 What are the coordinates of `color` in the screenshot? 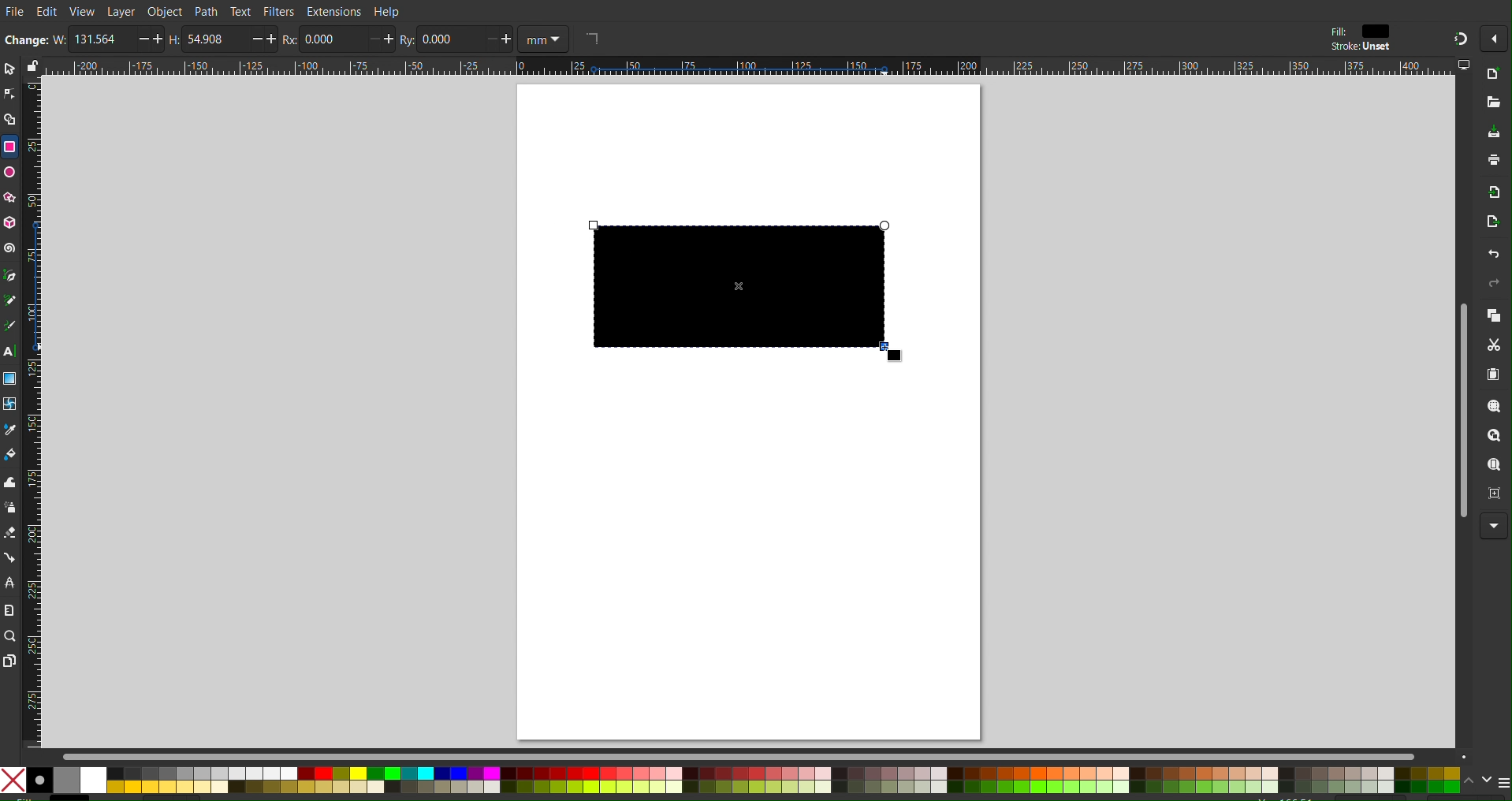 It's located at (1380, 31).